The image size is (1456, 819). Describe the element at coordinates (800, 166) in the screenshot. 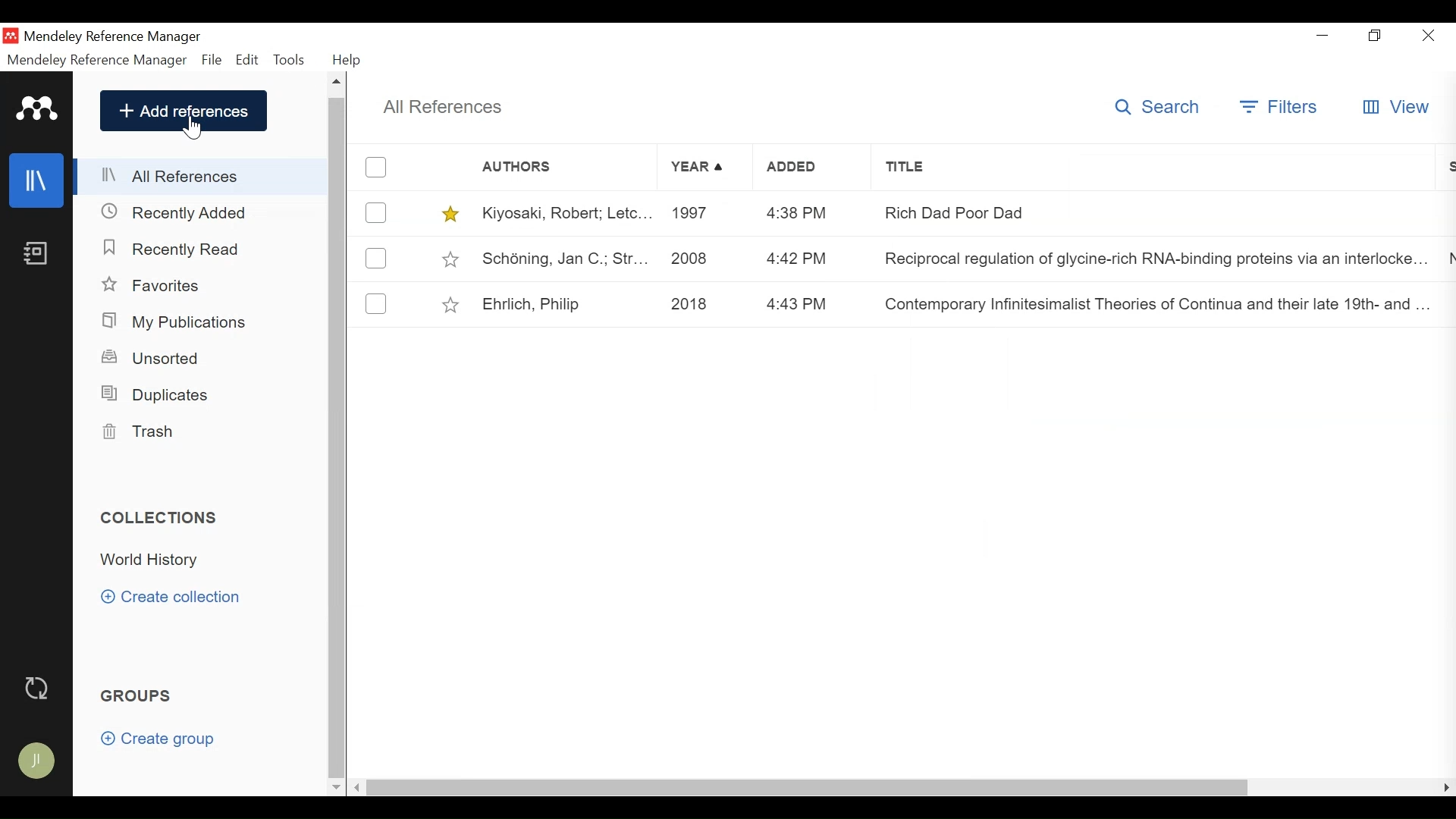

I see `Added` at that location.